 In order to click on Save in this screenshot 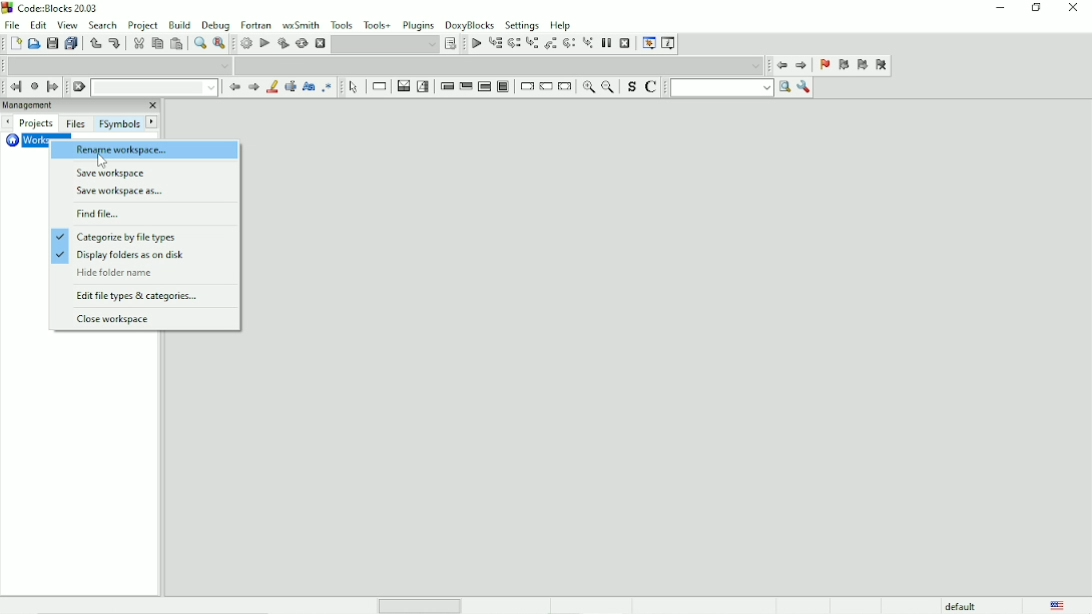, I will do `click(52, 43)`.